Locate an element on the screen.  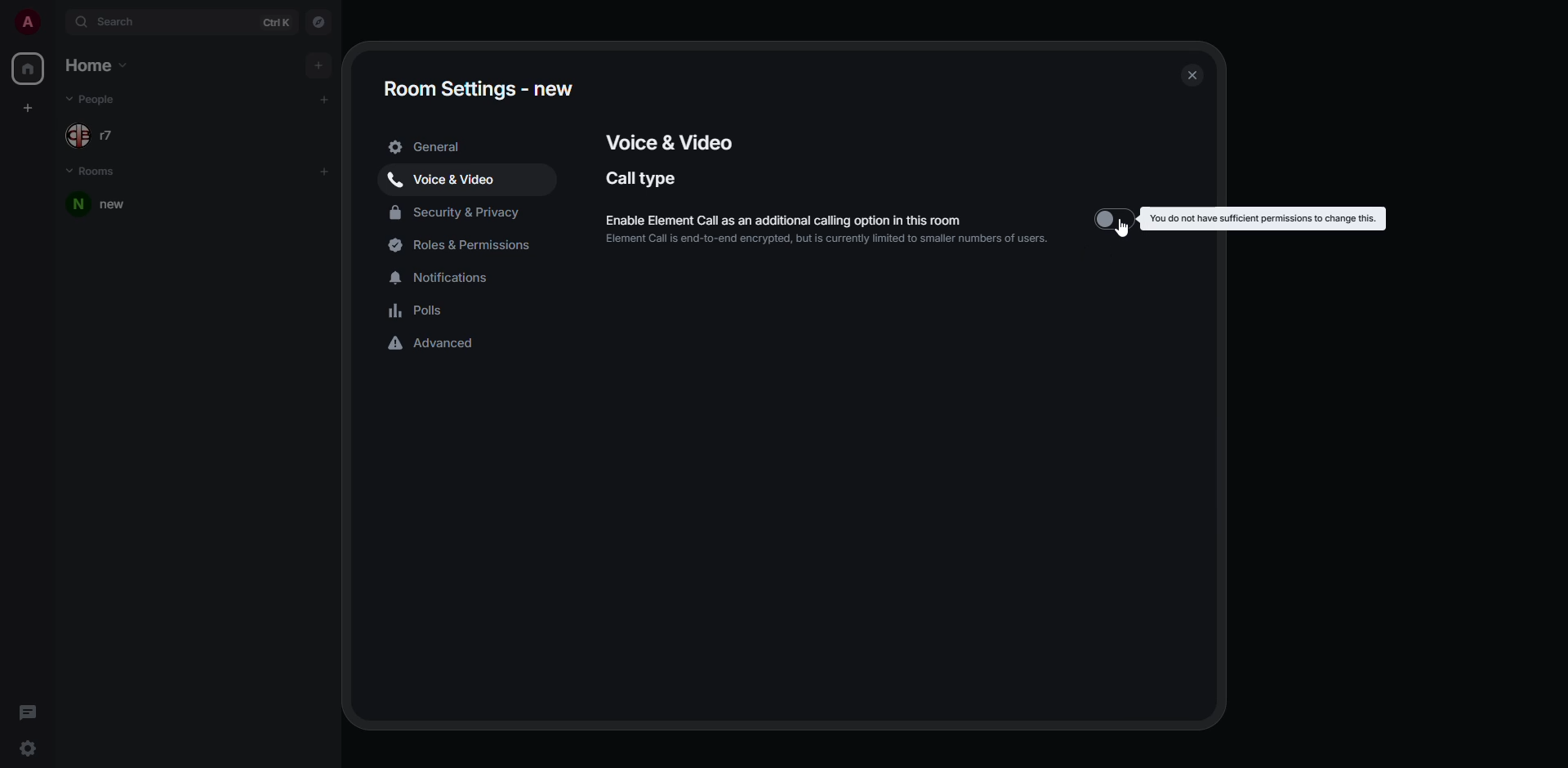
disabled is located at coordinates (1115, 220).